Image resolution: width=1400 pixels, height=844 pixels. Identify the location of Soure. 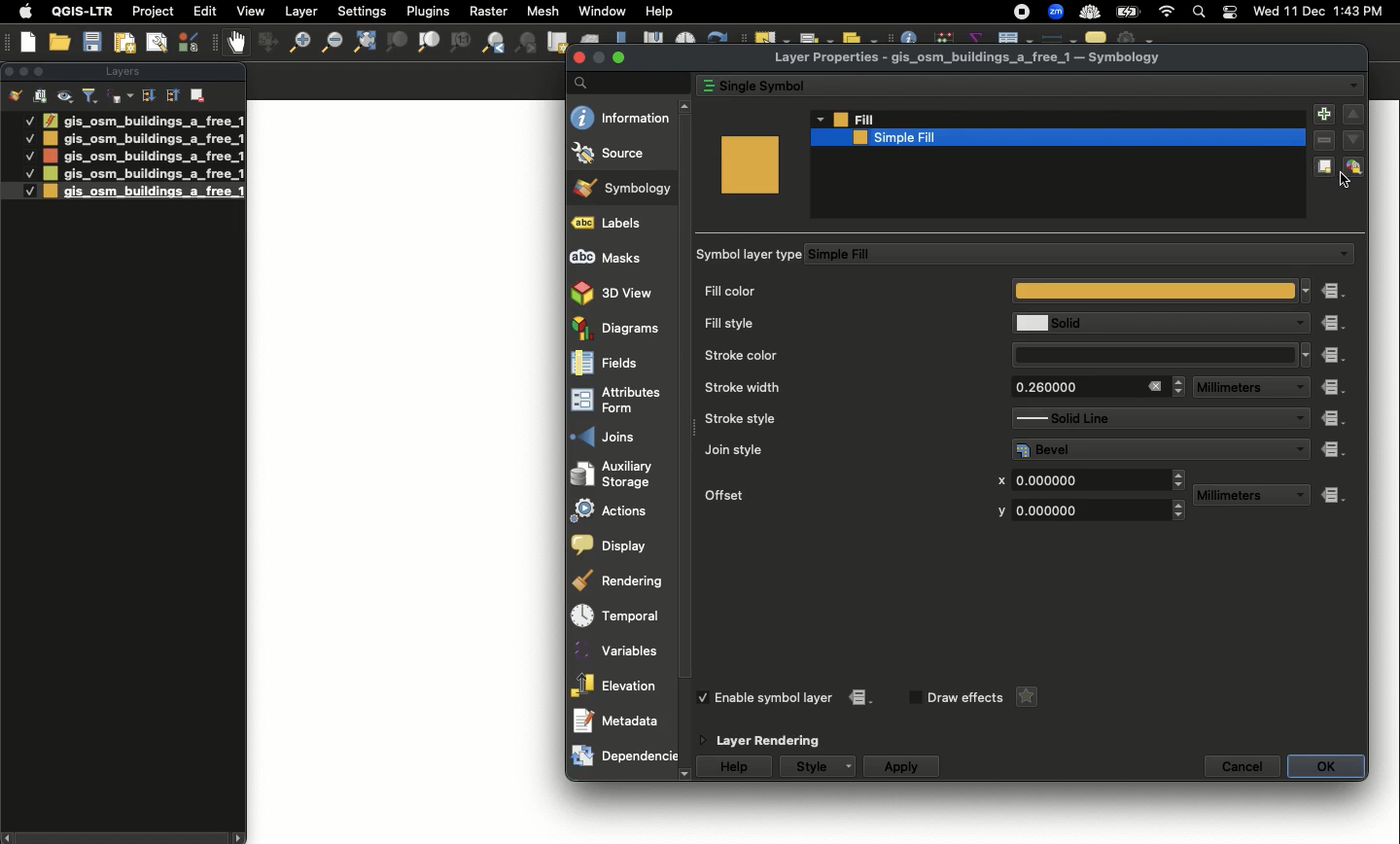
(620, 153).